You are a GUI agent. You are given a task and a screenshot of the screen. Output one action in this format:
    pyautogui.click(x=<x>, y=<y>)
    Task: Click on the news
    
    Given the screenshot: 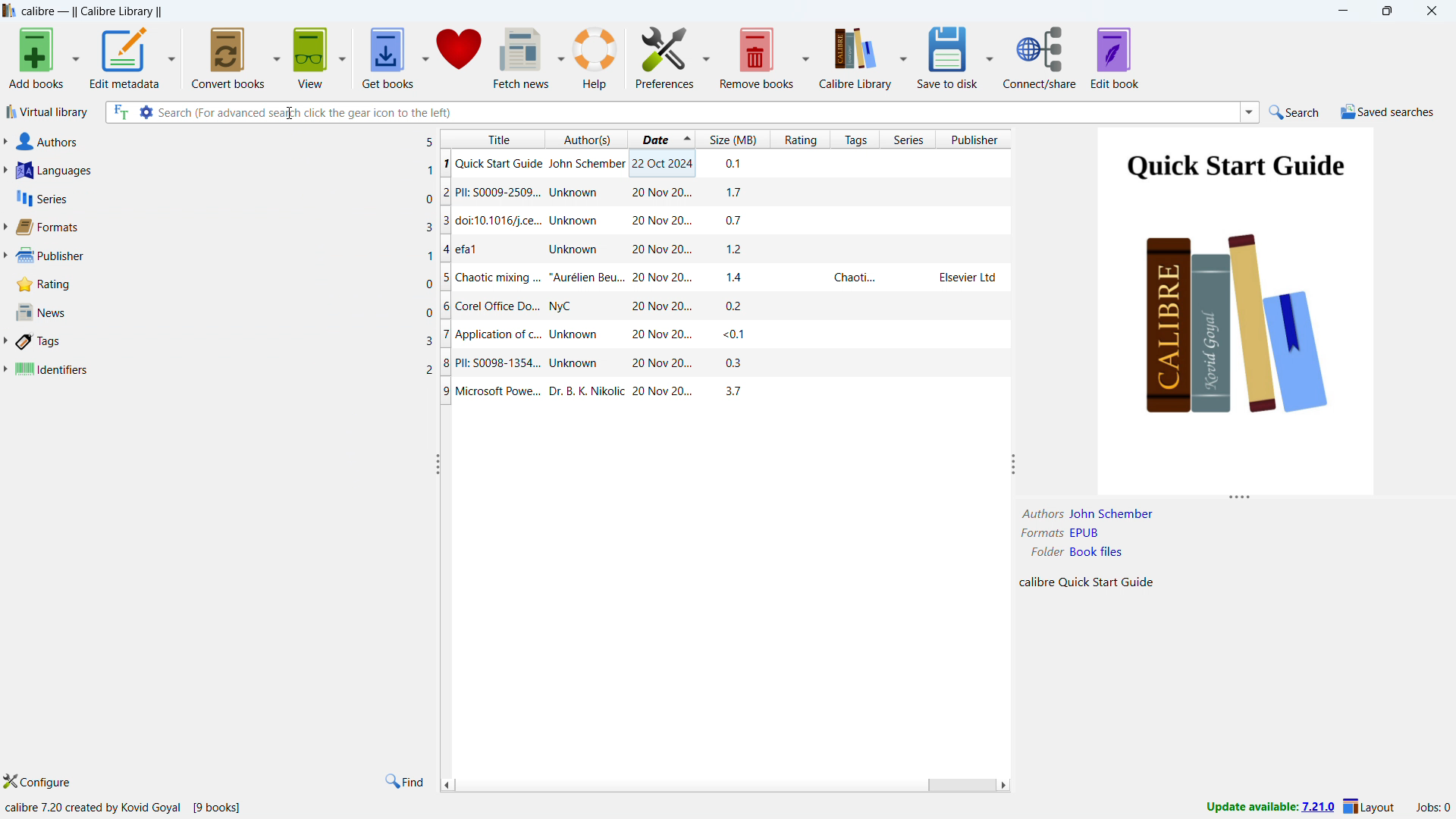 What is the action you would take?
    pyautogui.click(x=225, y=312)
    